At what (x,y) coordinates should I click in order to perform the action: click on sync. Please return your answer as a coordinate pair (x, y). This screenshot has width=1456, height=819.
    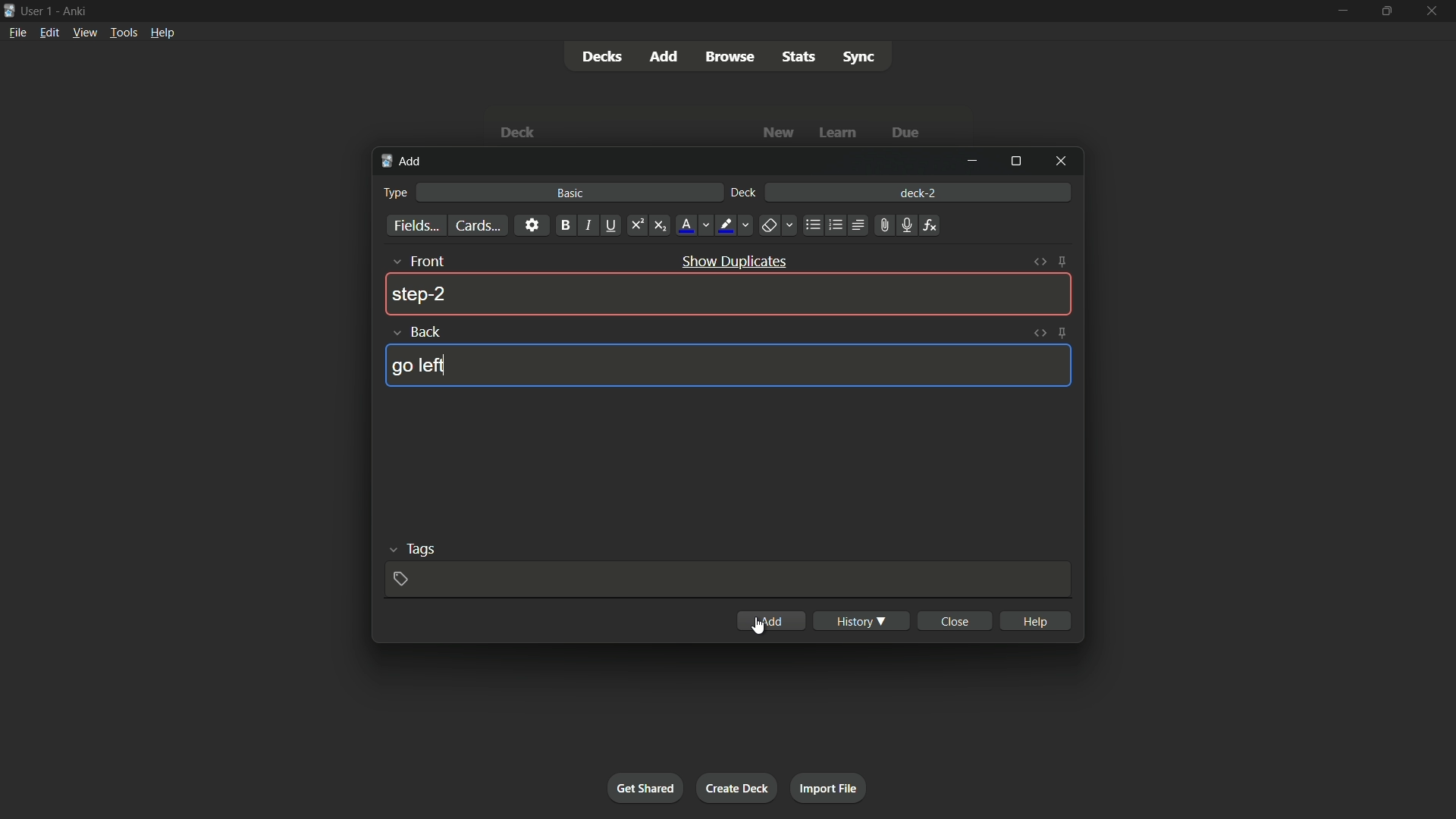
    Looking at the image, I should click on (859, 58).